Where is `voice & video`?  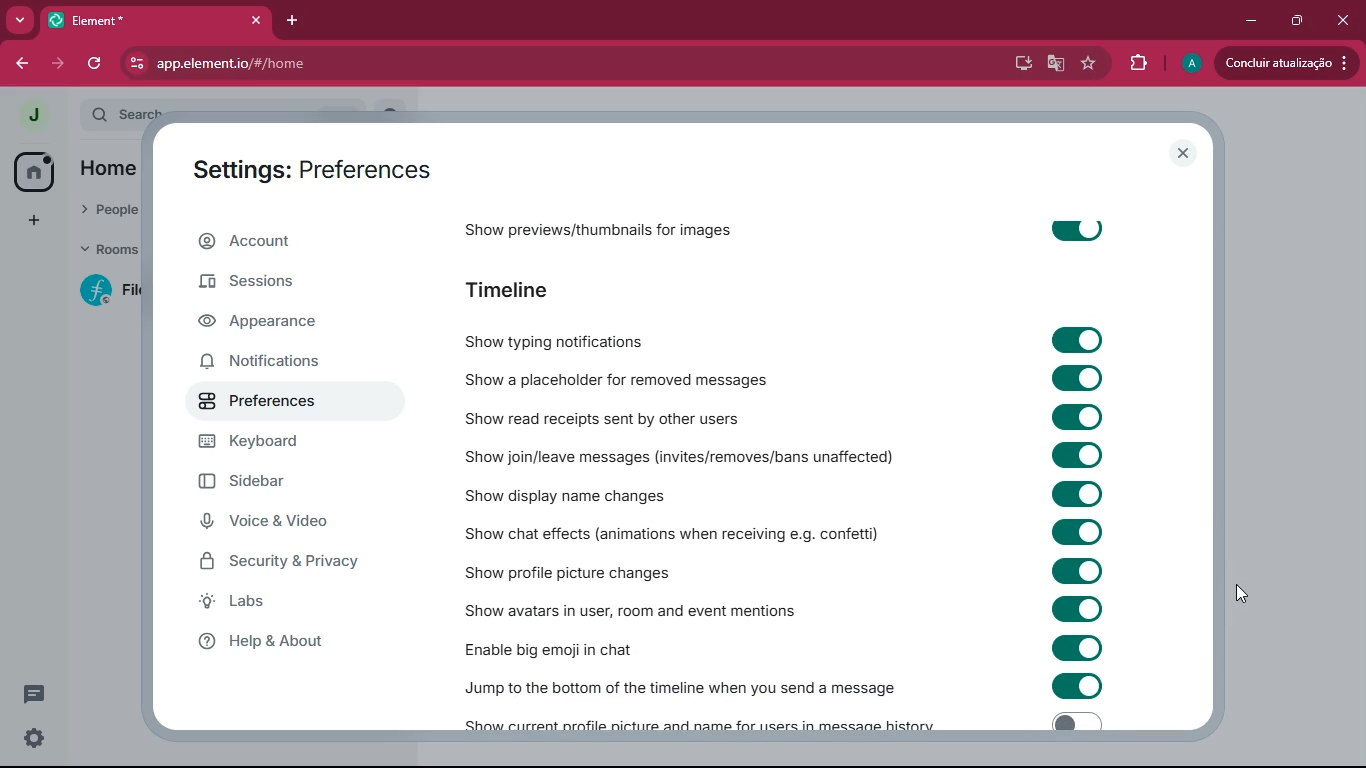 voice & video is located at coordinates (283, 525).